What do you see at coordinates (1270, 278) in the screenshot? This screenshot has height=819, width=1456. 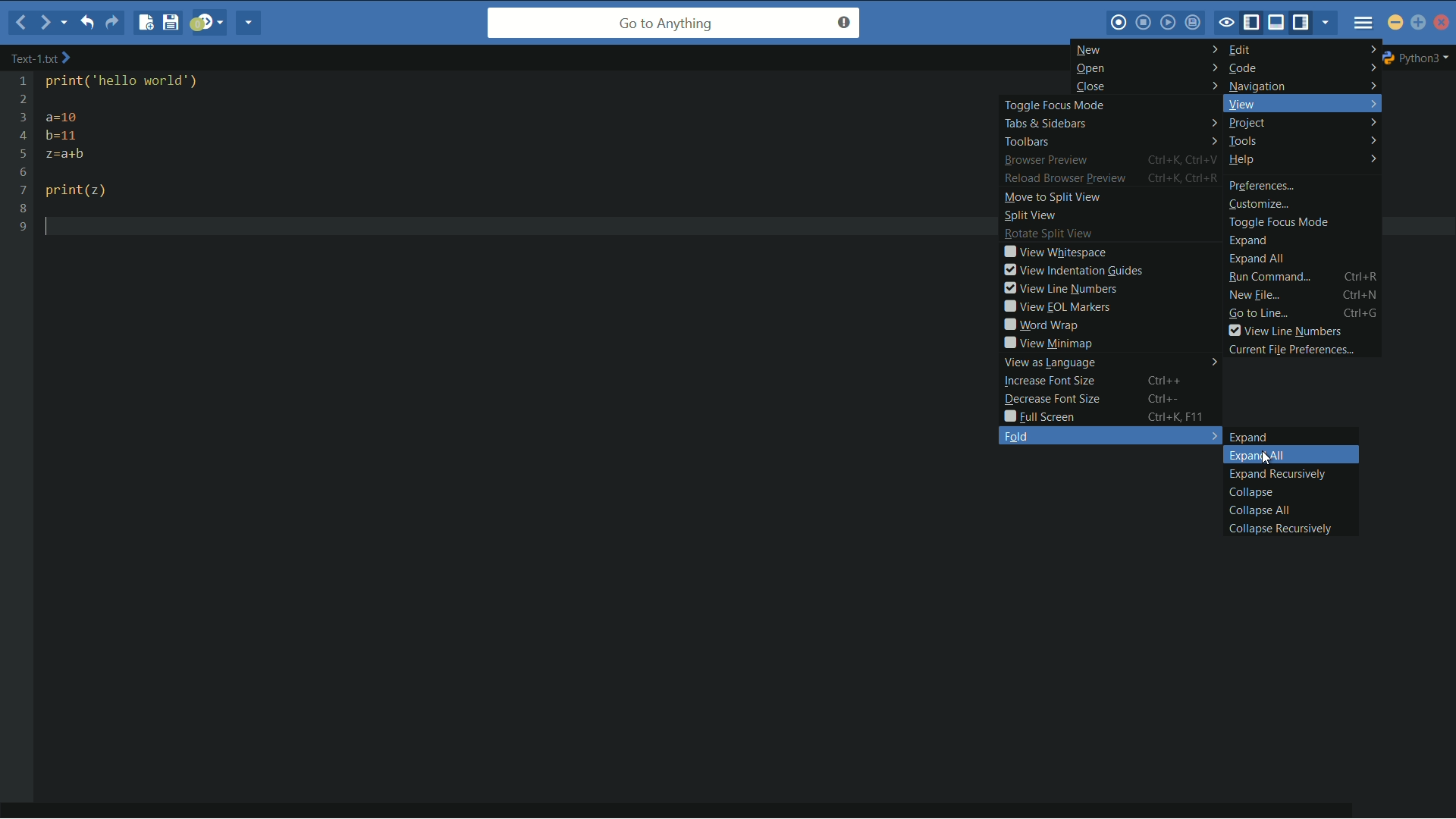 I see `run command` at bounding box center [1270, 278].